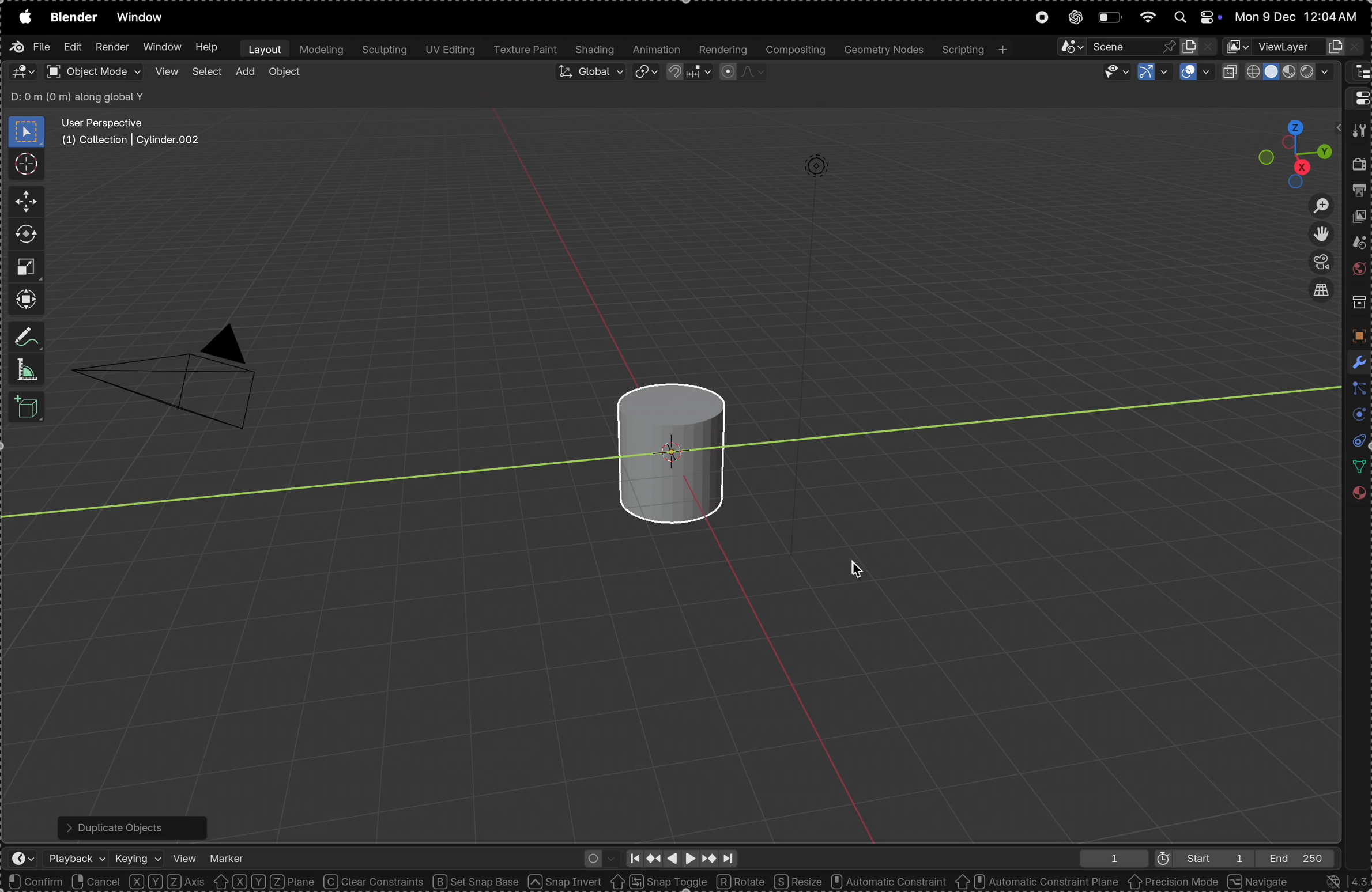  Describe the element at coordinates (22, 71) in the screenshot. I see `editor type` at that location.